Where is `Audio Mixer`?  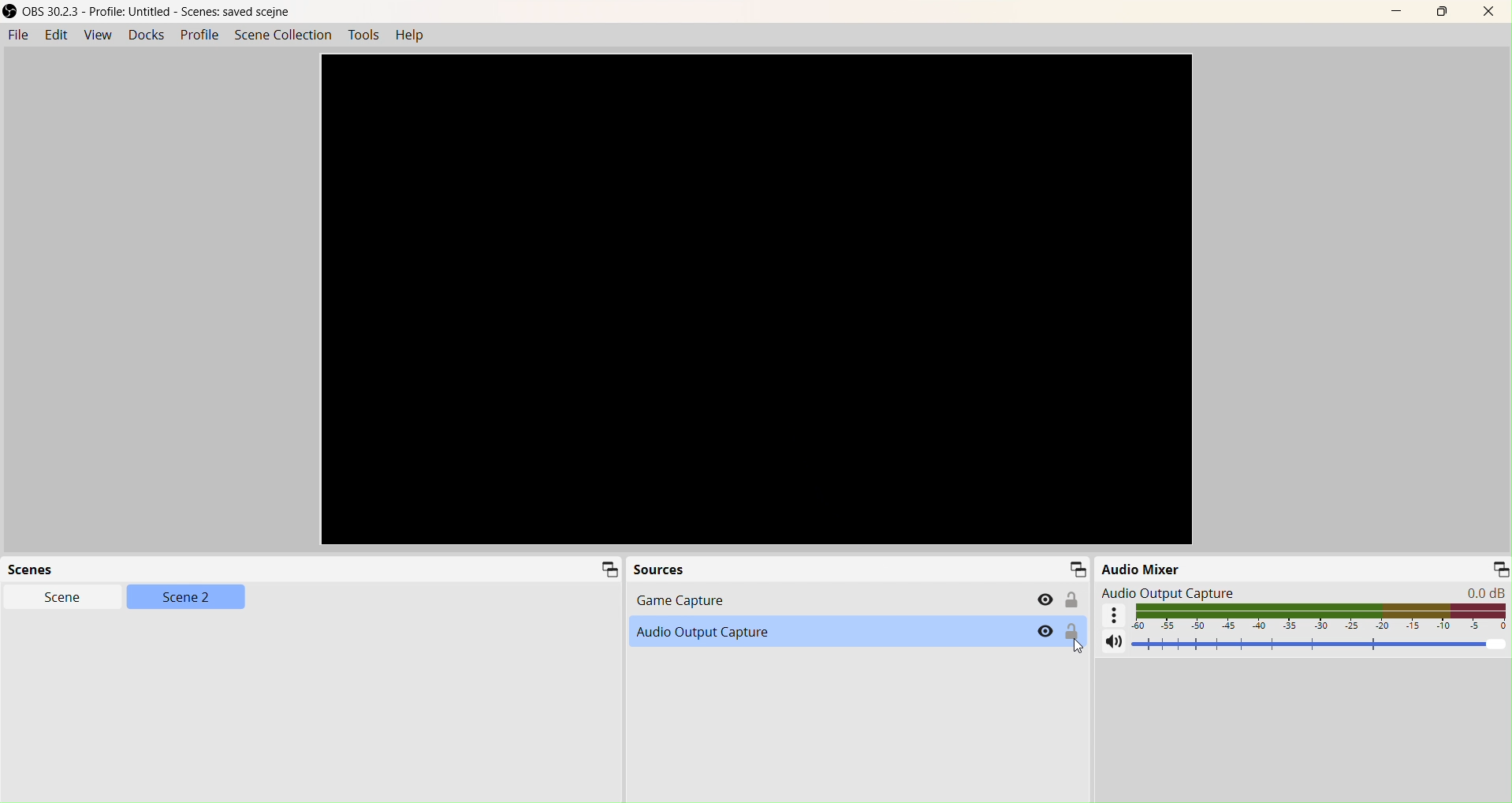
Audio Mixer is located at coordinates (1303, 566).